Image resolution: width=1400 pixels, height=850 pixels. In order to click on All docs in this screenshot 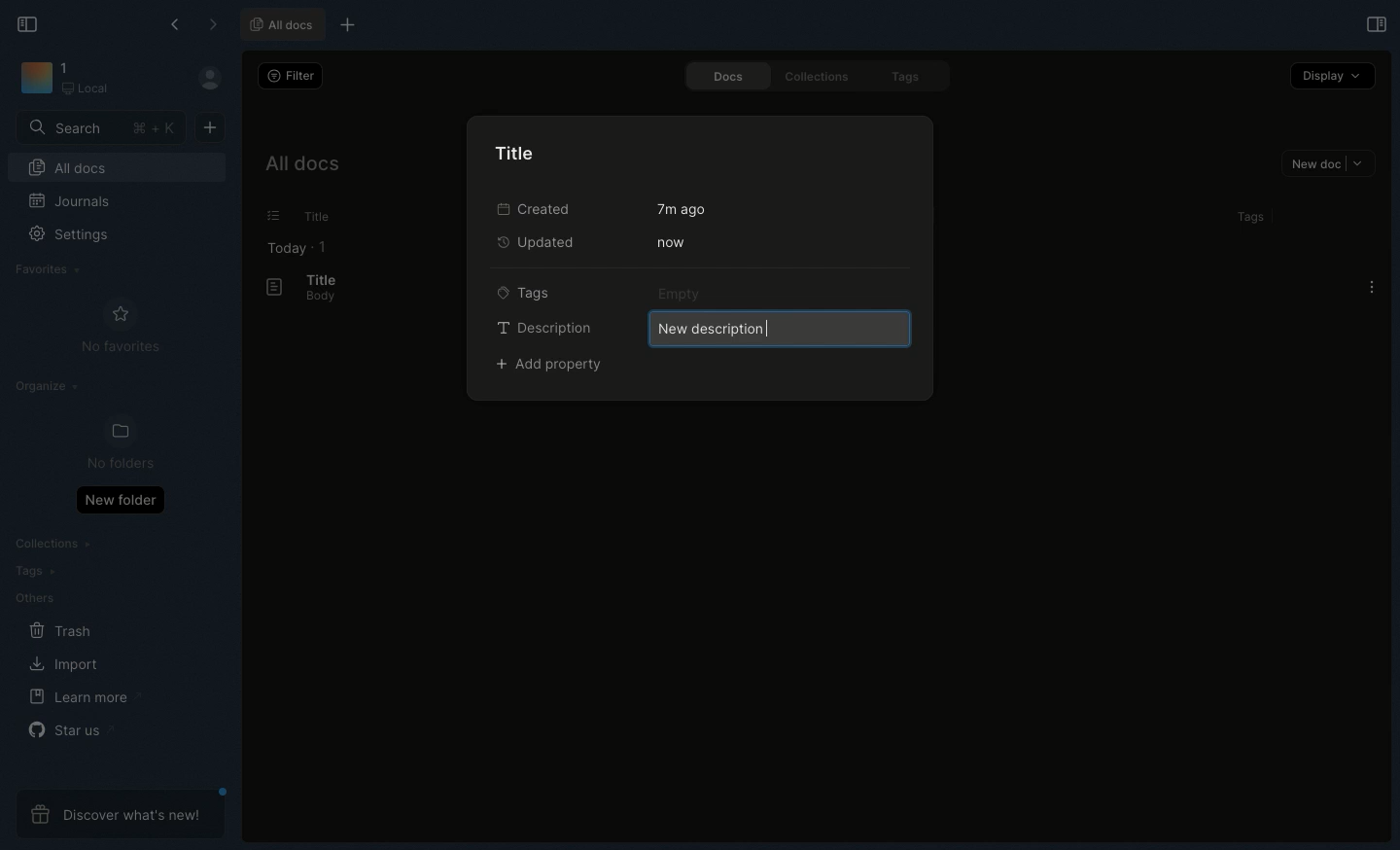, I will do `click(280, 25)`.